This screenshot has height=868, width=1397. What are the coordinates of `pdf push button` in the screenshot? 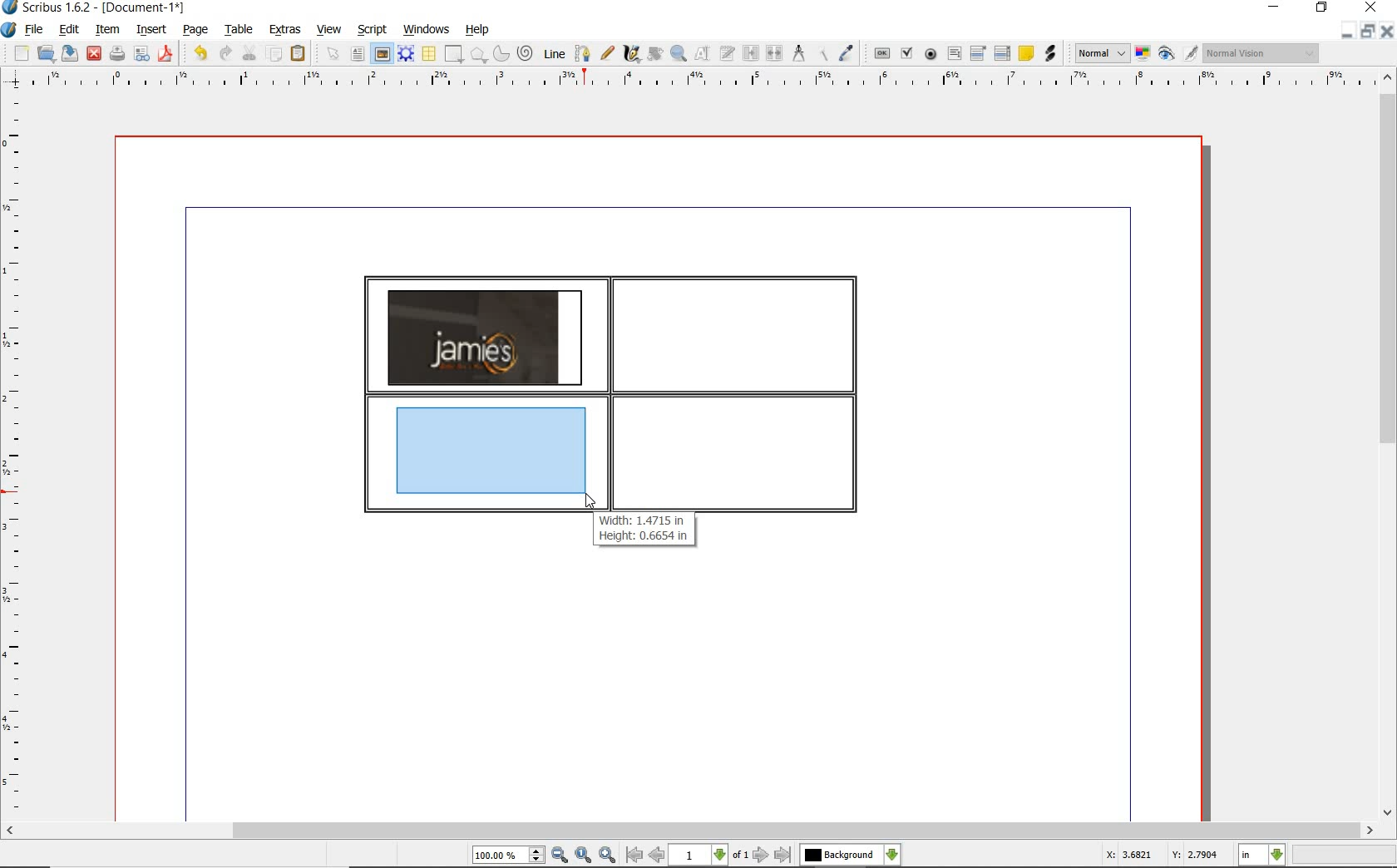 It's located at (882, 52).